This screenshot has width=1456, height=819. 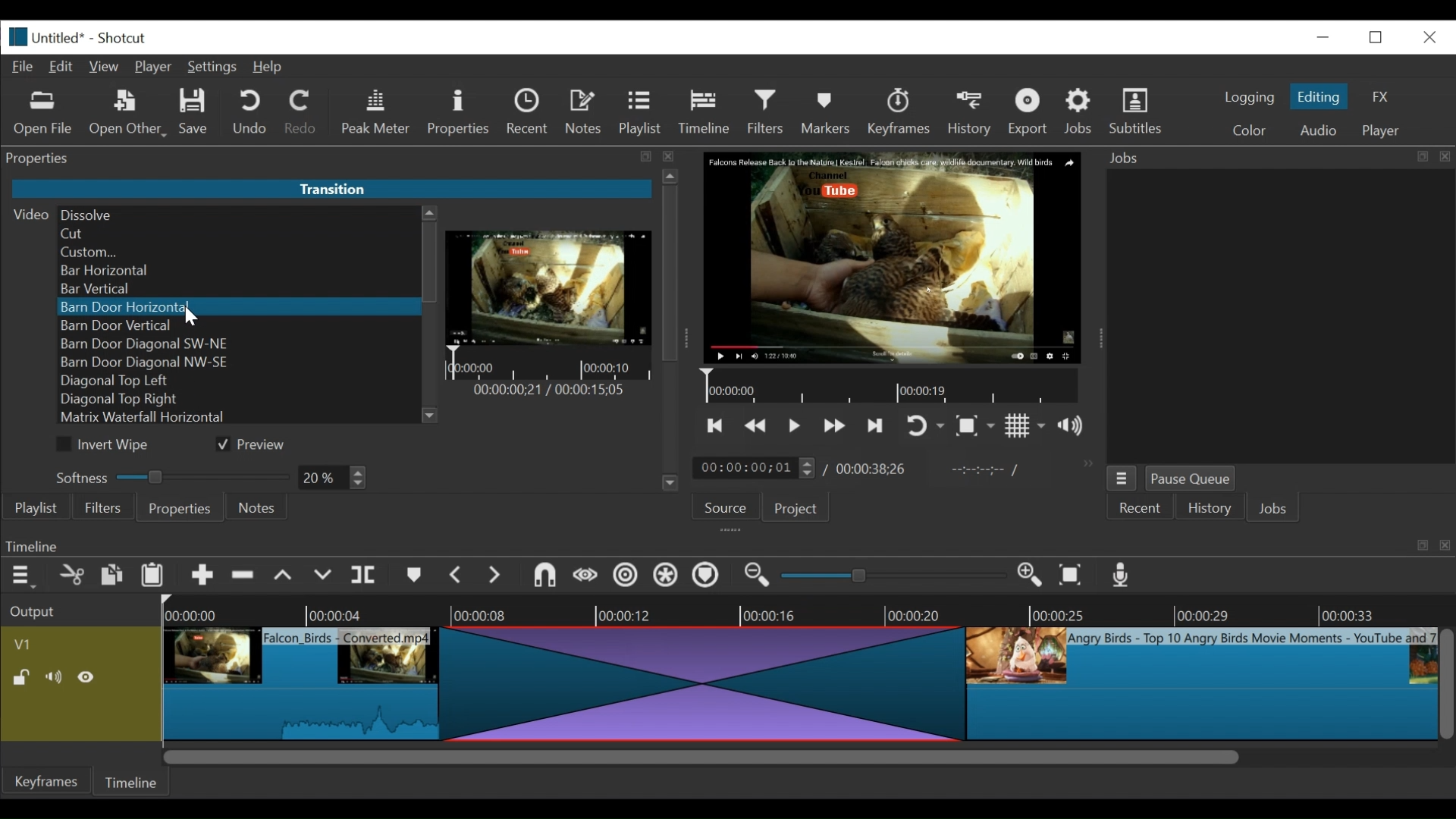 I want to click on Subtitles, so click(x=1136, y=111).